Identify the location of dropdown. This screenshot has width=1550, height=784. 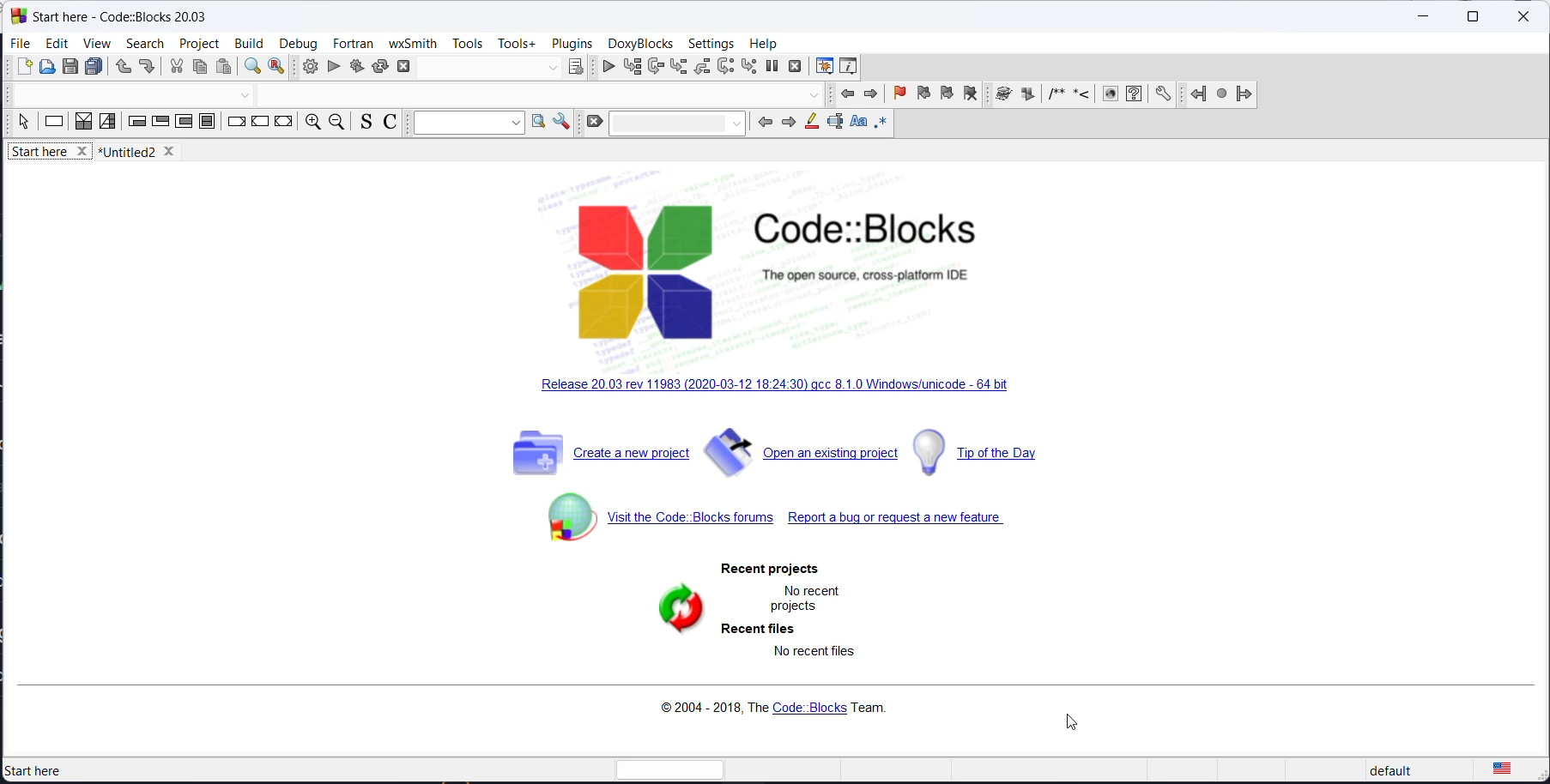
(679, 122).